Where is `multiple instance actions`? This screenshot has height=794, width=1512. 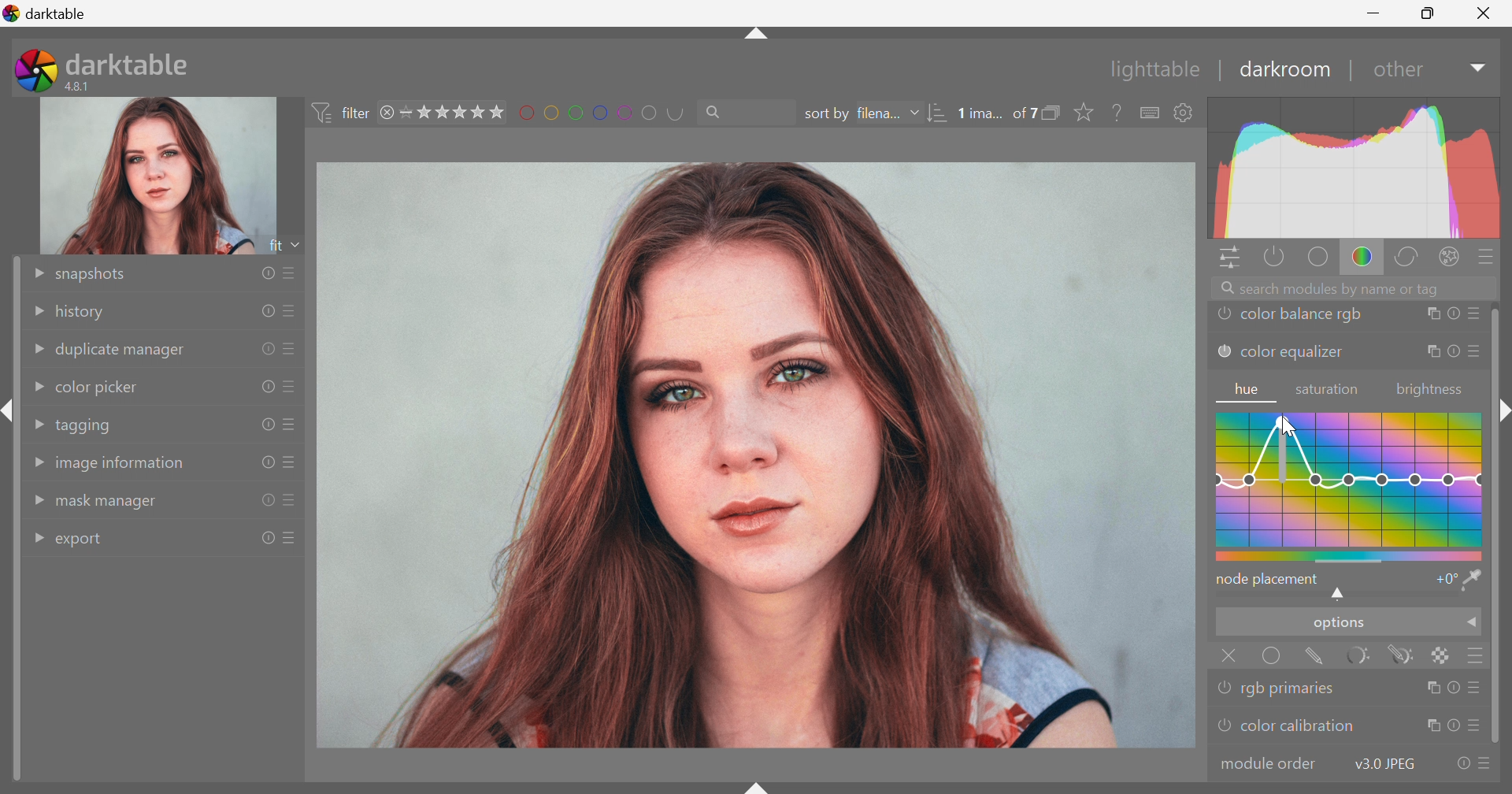 multiple instance actions is located at coordinates (1431, 315).